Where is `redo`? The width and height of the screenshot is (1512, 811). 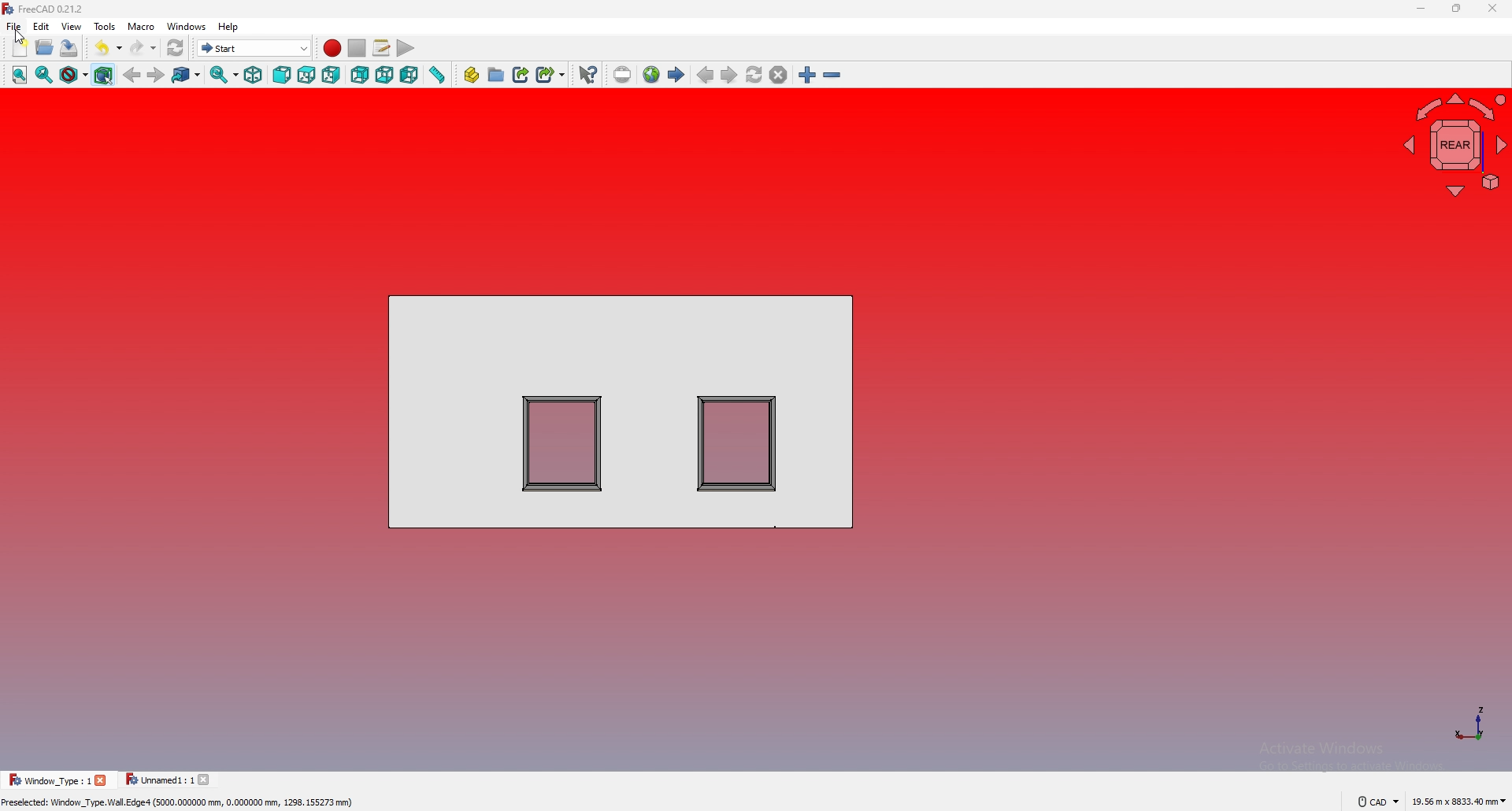 redo is located at coordinates (143, 47).